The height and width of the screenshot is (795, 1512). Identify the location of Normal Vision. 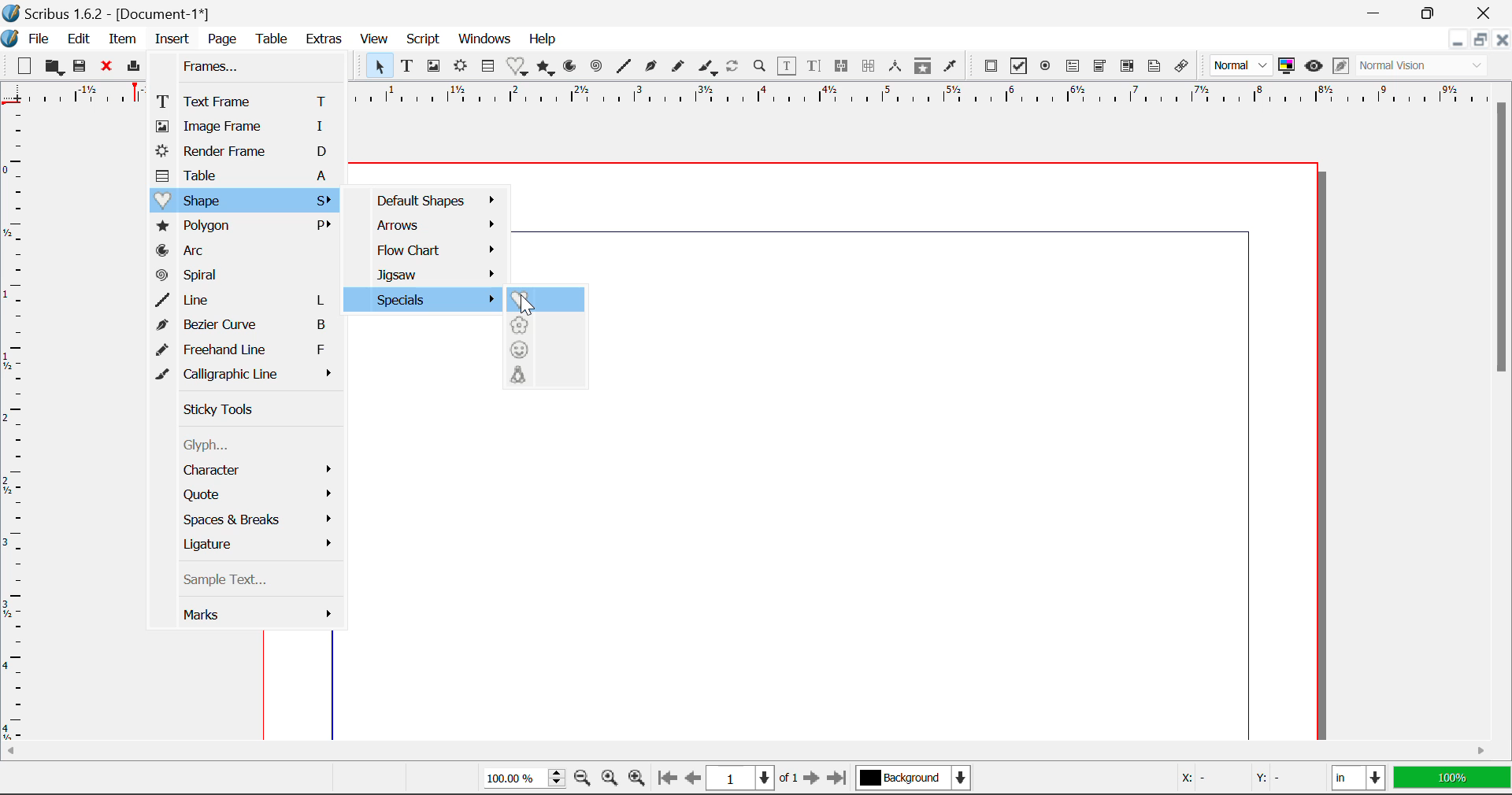
(1424, 67).